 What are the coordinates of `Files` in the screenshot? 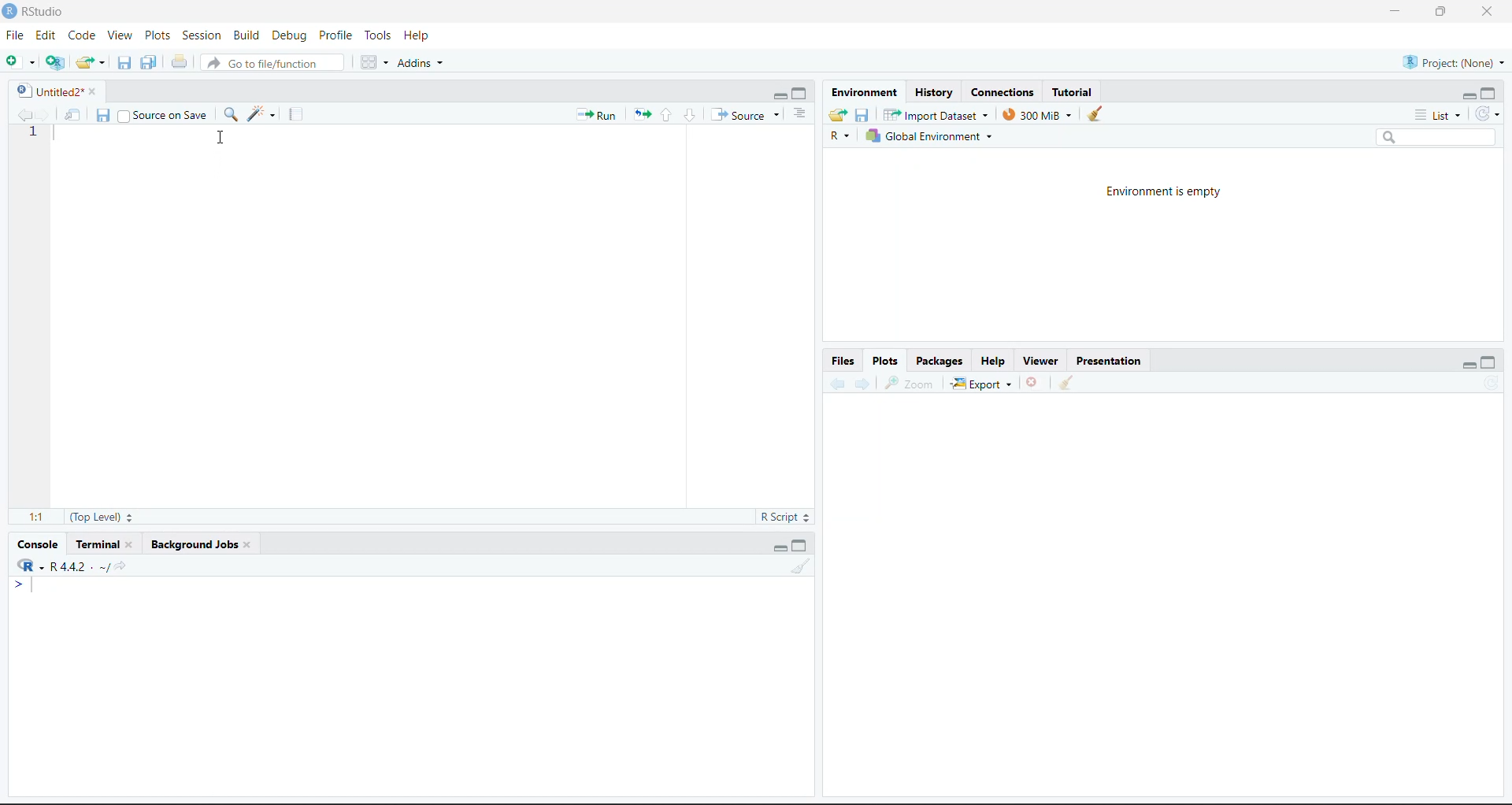 It's located at (844, 362).